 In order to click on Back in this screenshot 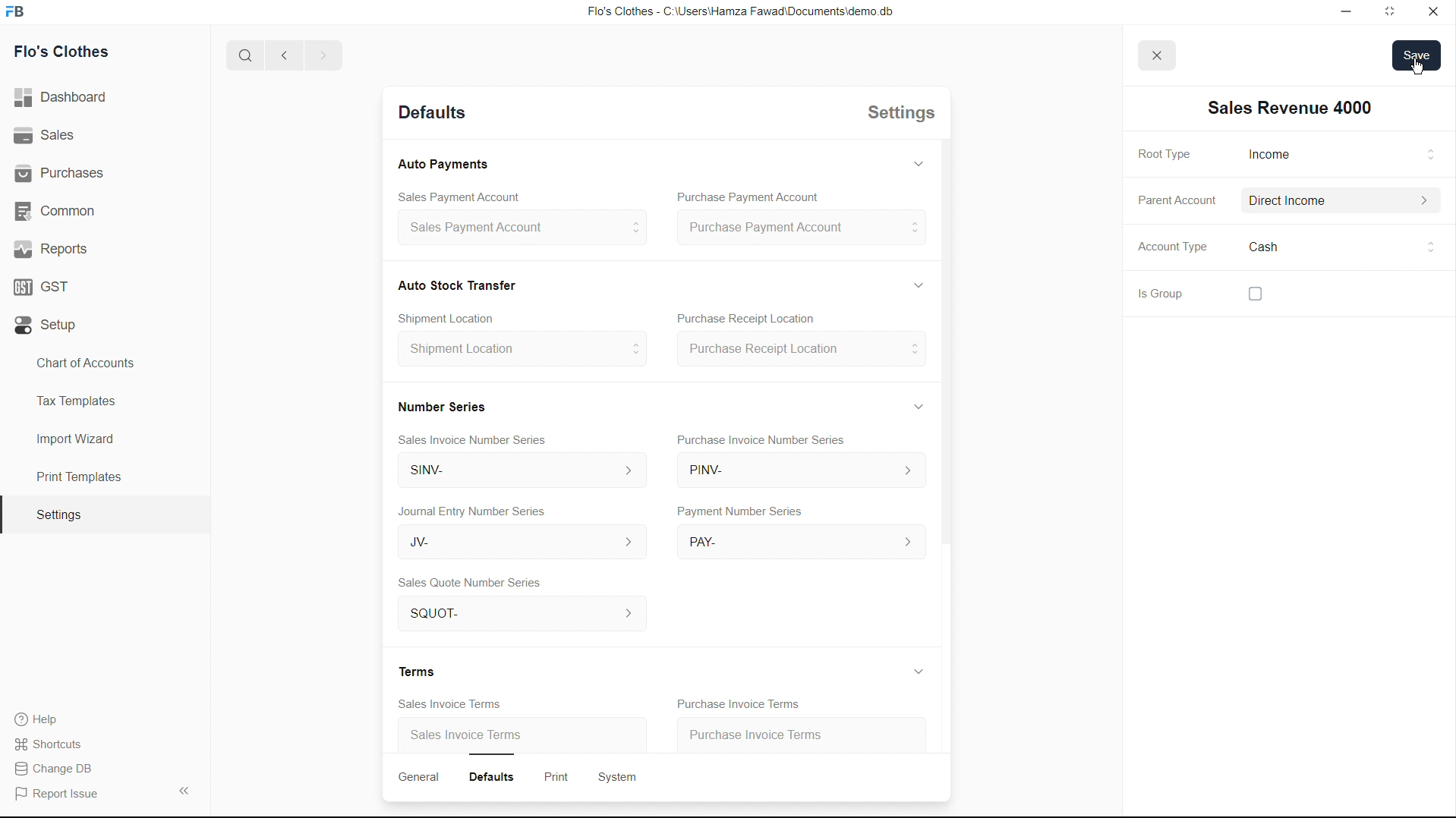, I will do `click(279, 56)`.